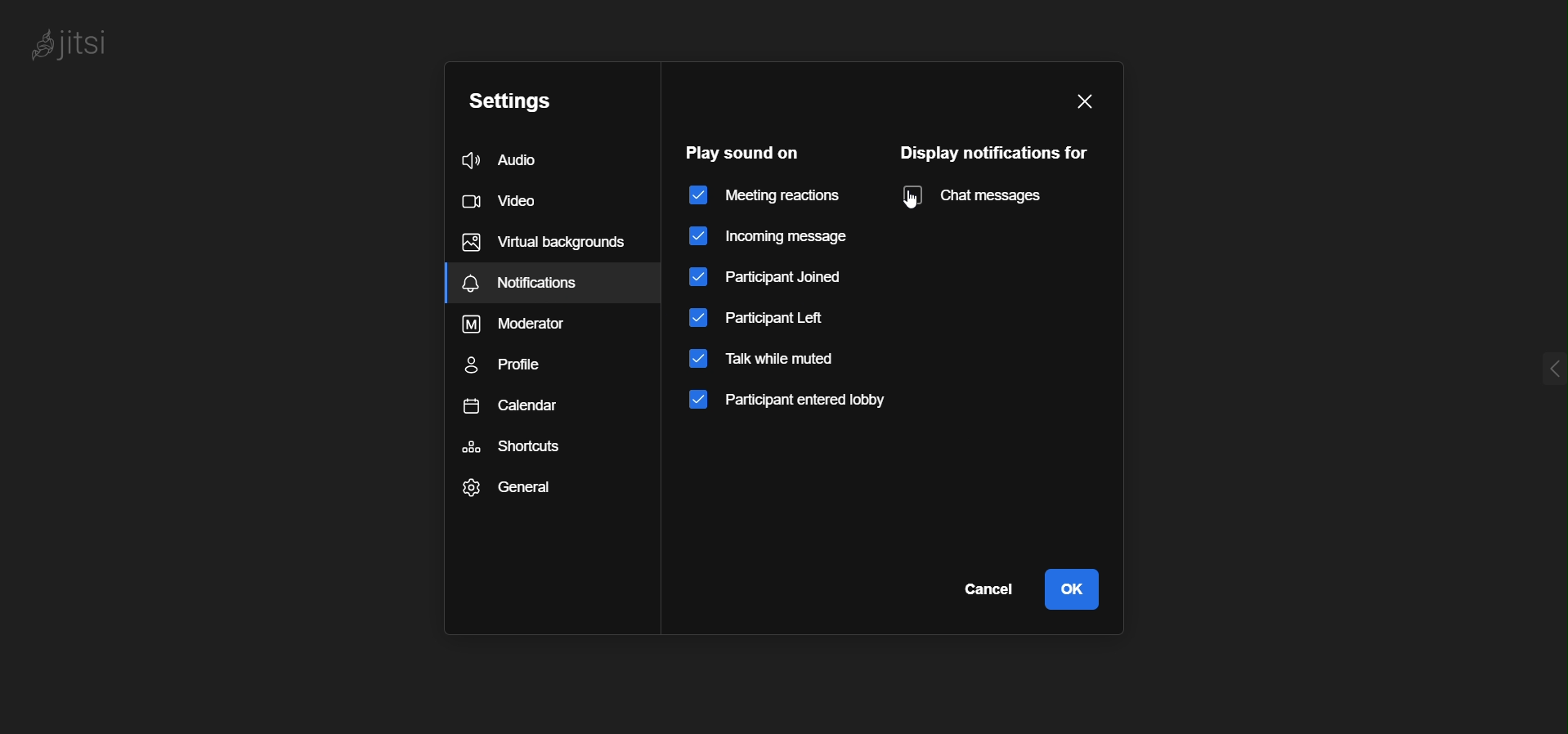  What do you see at coordinates (788, 407) in the screenshot?
I see `participant entered lobby` at bounding box center [788, 407].